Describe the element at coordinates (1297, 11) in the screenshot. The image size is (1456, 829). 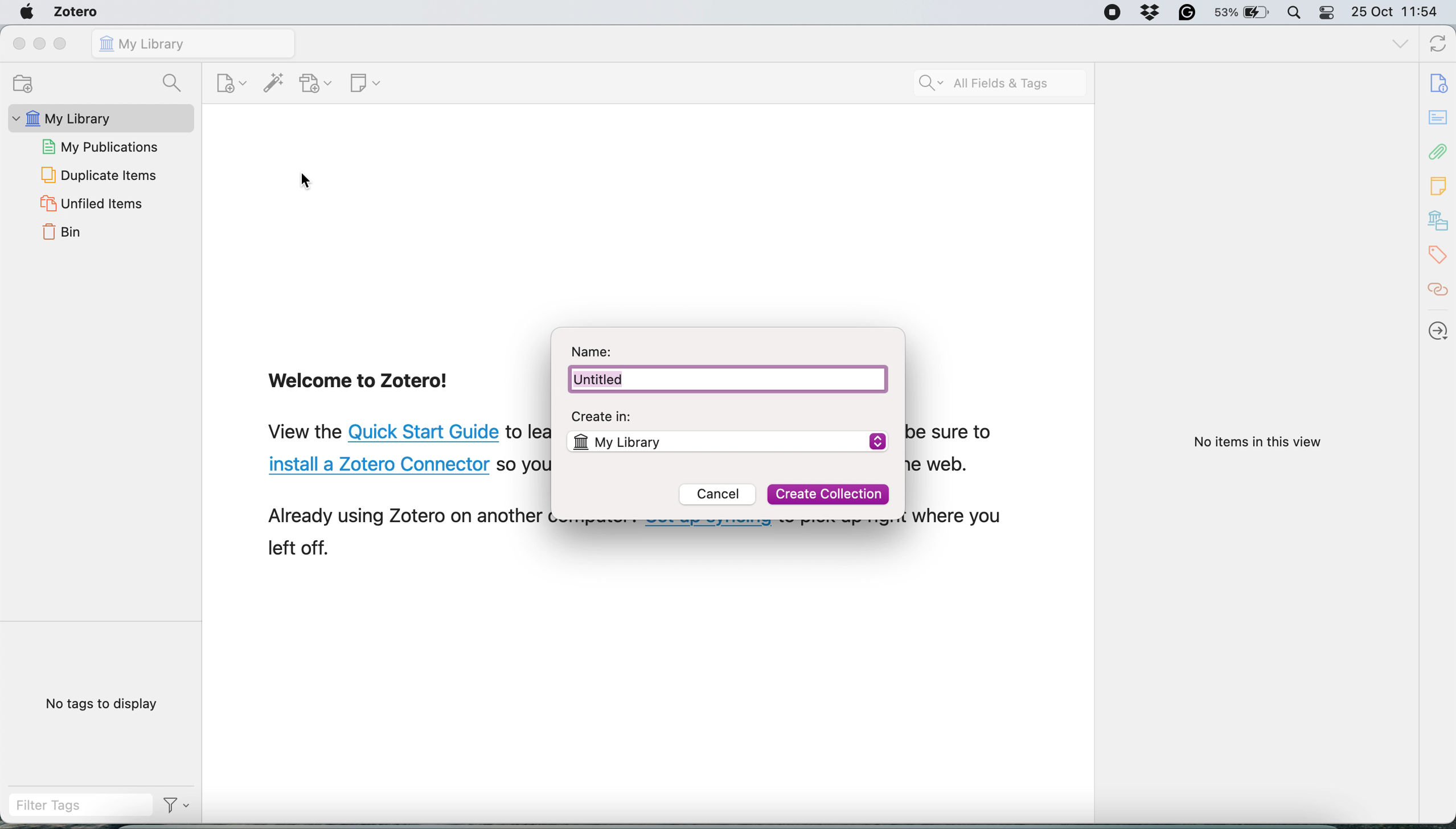
I see `spotlight search` at that location.